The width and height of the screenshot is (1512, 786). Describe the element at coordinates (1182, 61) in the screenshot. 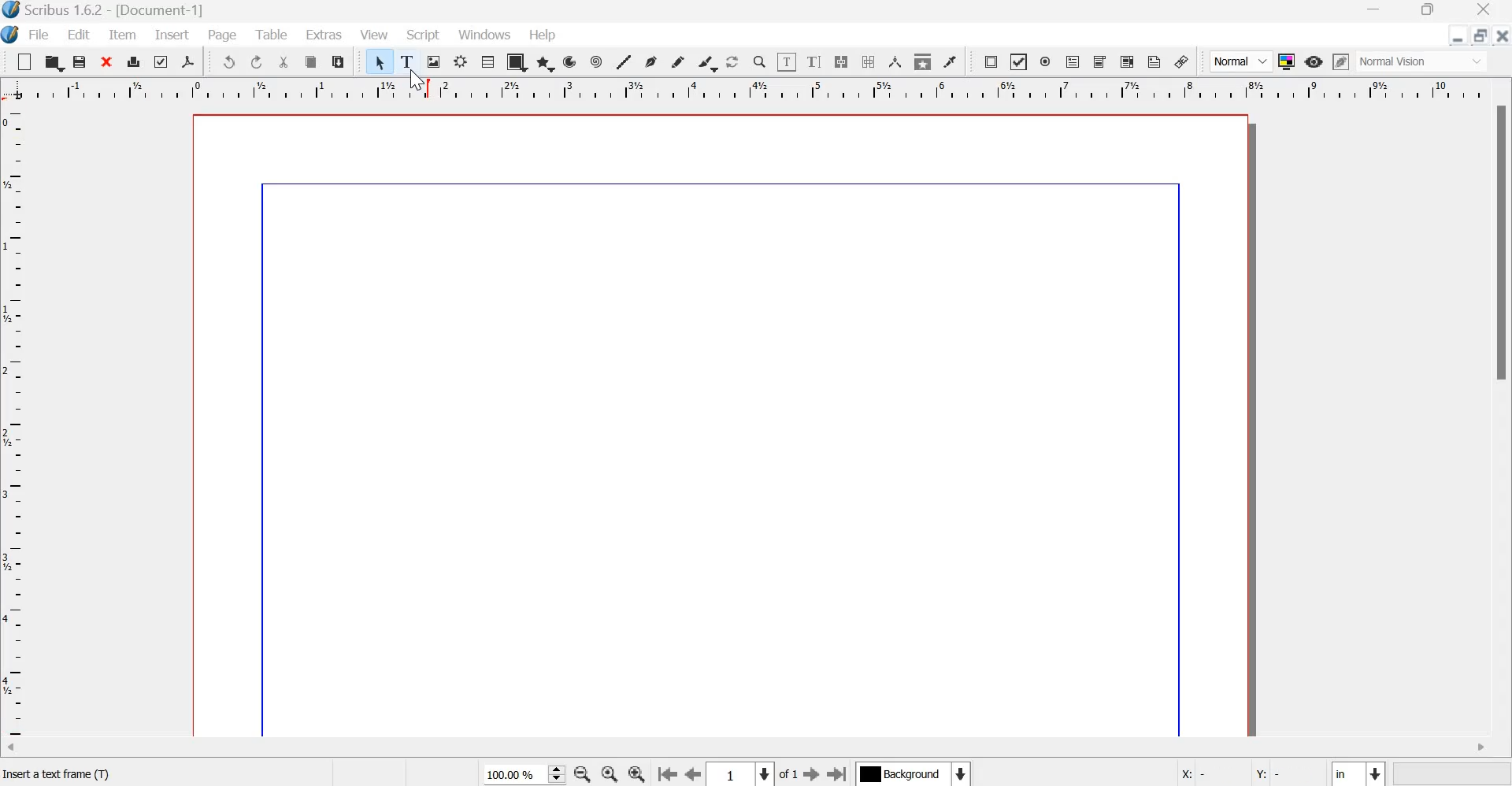

I see `Link annotation` at that location.